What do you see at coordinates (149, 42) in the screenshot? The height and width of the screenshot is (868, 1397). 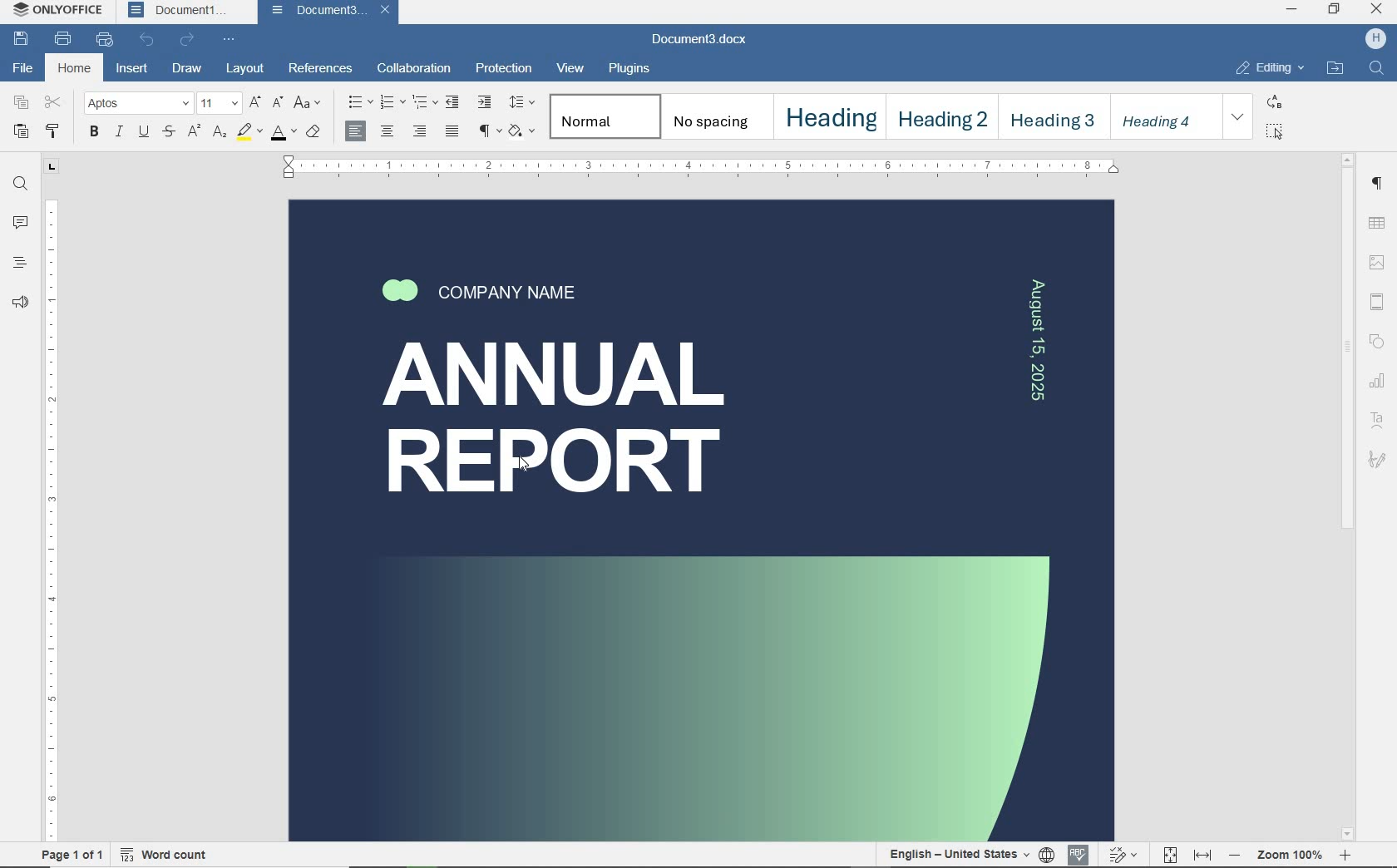 I see `undo` at bounding box center [149, 42].